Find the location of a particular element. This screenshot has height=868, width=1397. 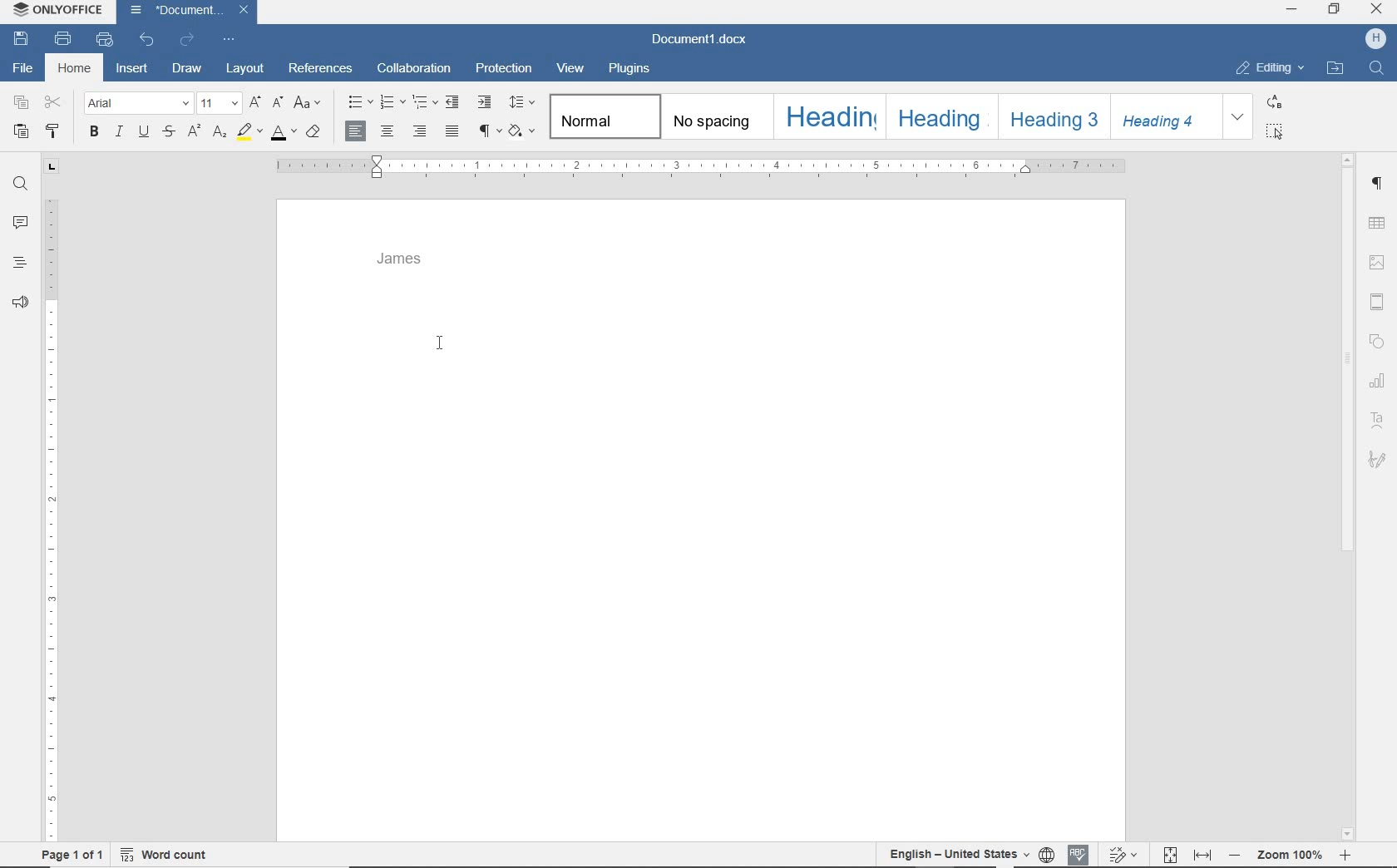

TextArt is located at coordinates (1377, 419).